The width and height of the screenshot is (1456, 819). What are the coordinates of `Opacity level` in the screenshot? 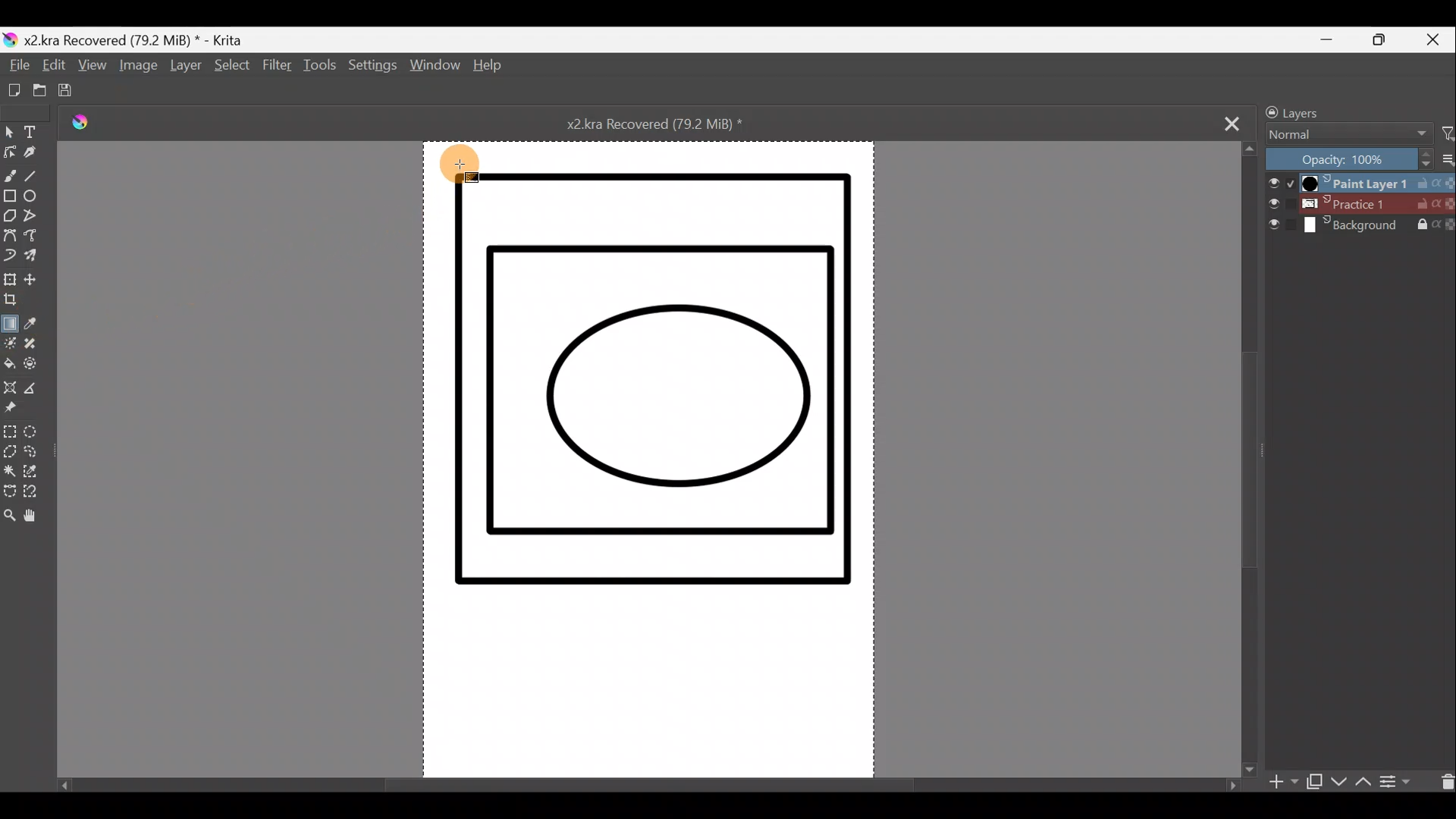 It's located at (1359, 158).